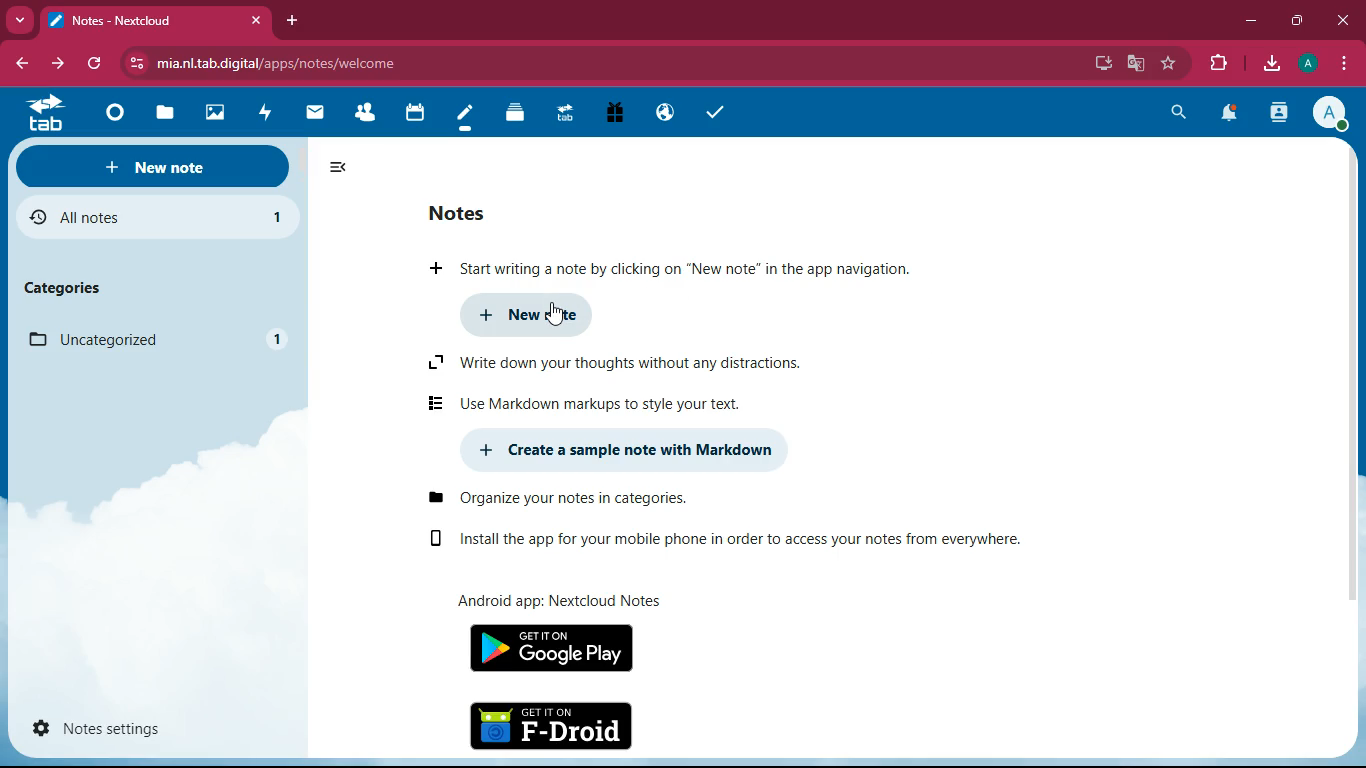 This screenshot has height=768, width=1366. I want to click on friends, so click(368, 112).